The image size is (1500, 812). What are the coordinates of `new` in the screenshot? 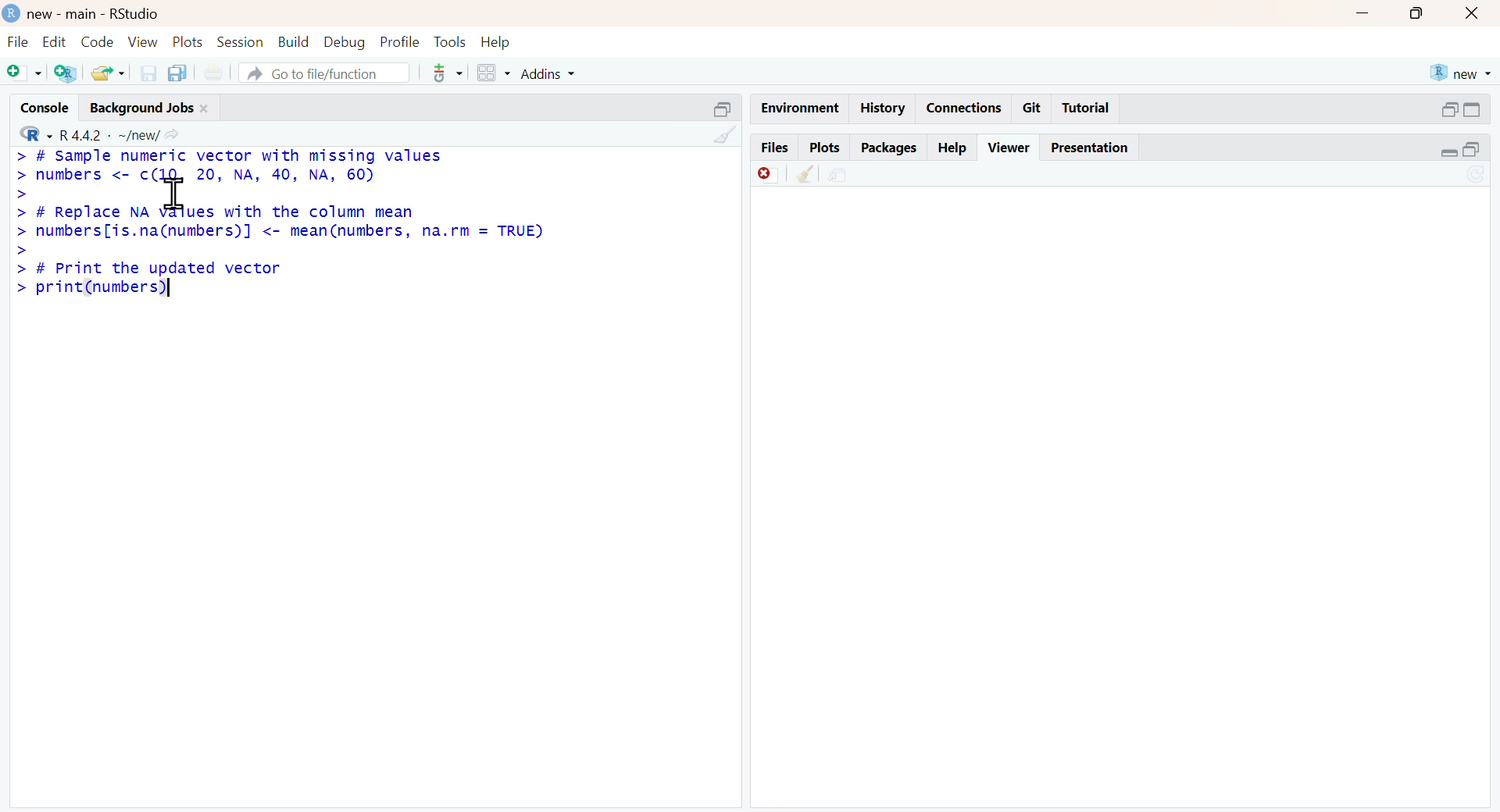 It's located at (1462, 74).